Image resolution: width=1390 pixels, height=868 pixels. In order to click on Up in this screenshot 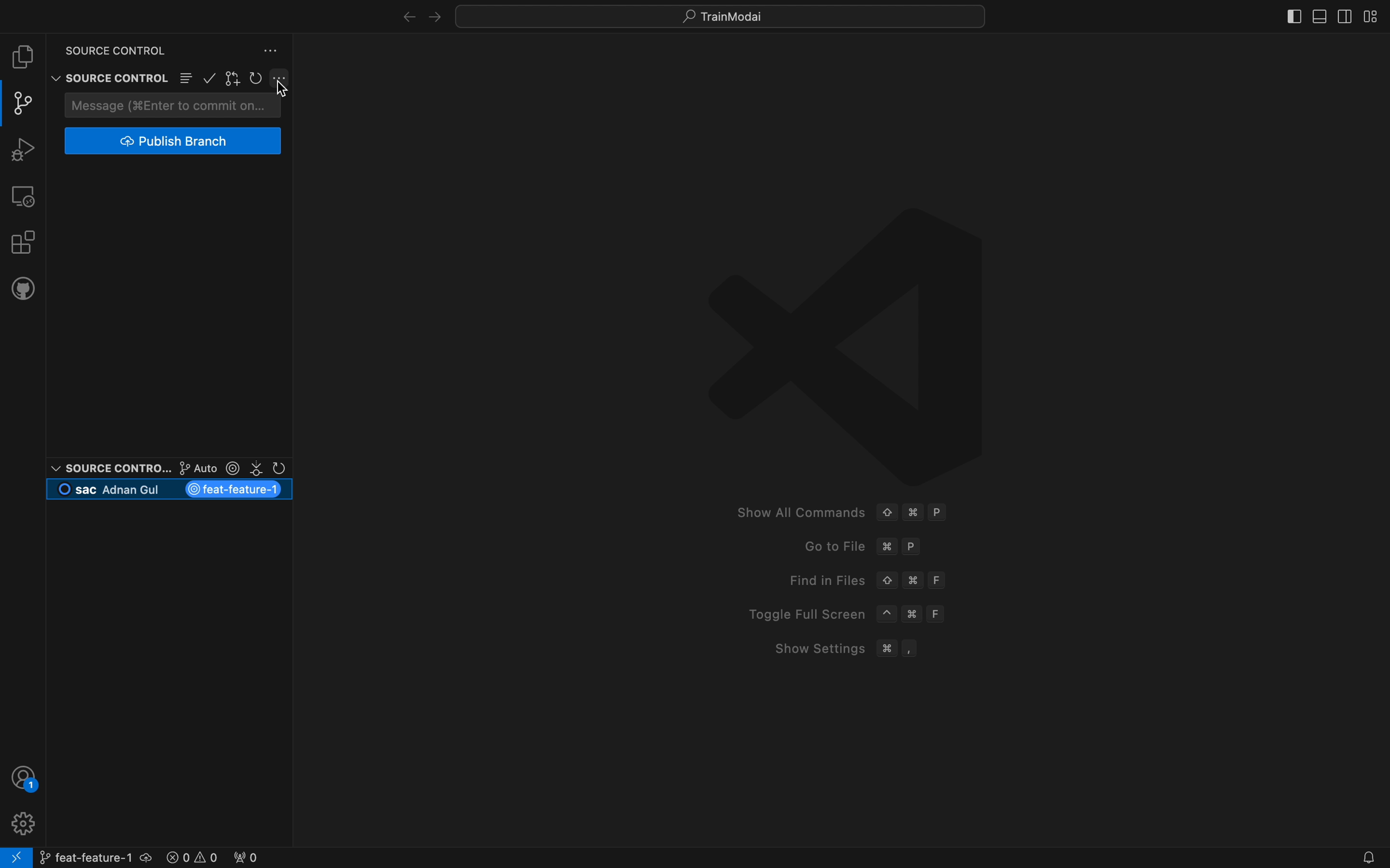, I will do `click(887, 581)`.